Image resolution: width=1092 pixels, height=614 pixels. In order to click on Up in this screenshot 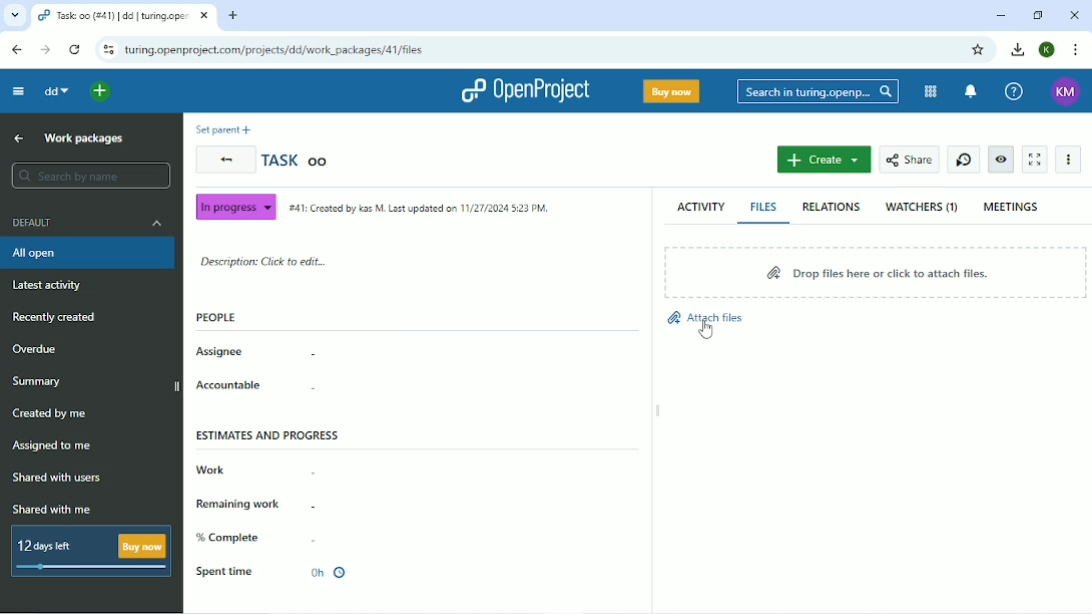, I will do `click(18, 139)`.